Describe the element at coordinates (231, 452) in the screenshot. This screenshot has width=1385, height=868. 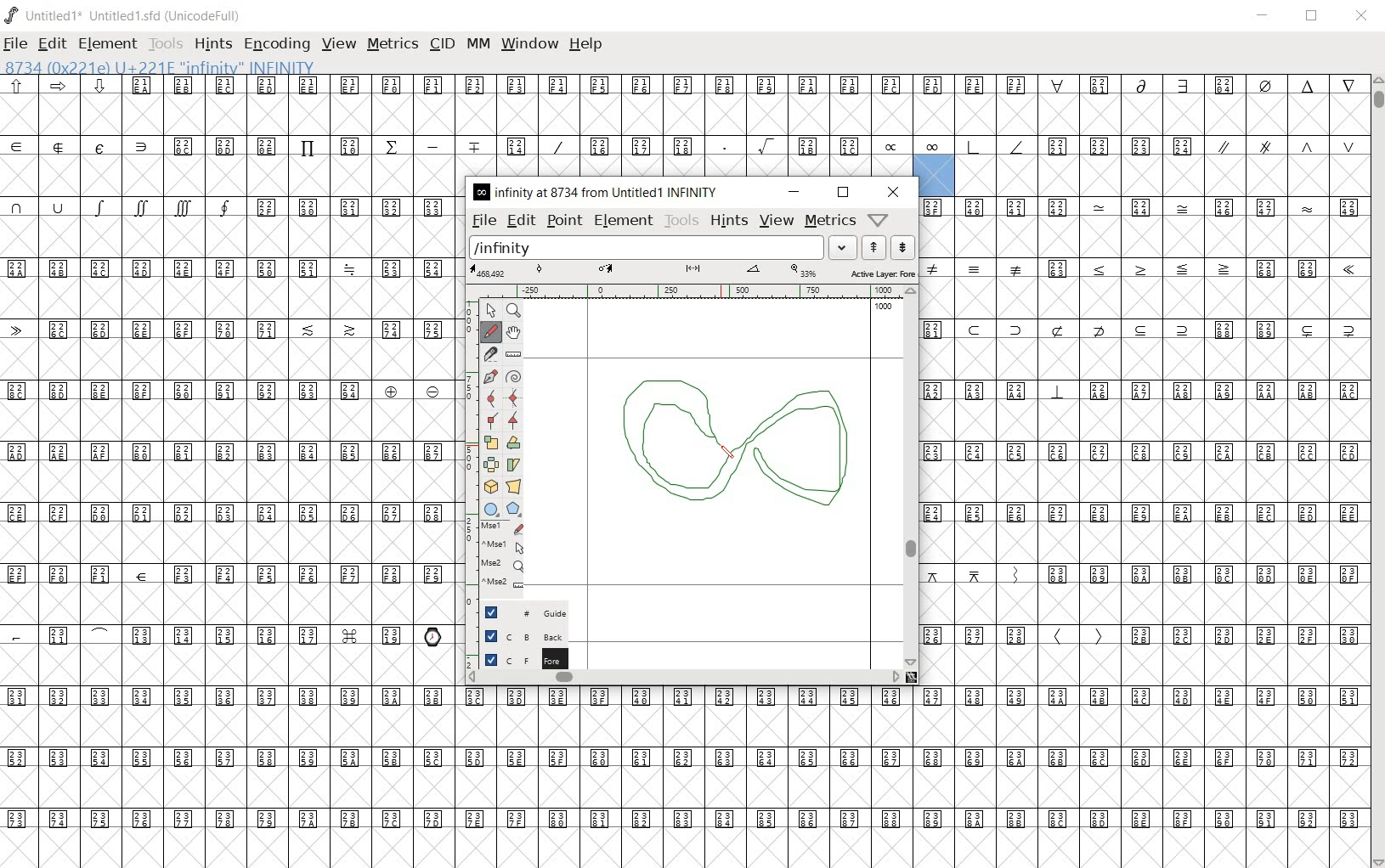
I see `Unicode code points` at that location.